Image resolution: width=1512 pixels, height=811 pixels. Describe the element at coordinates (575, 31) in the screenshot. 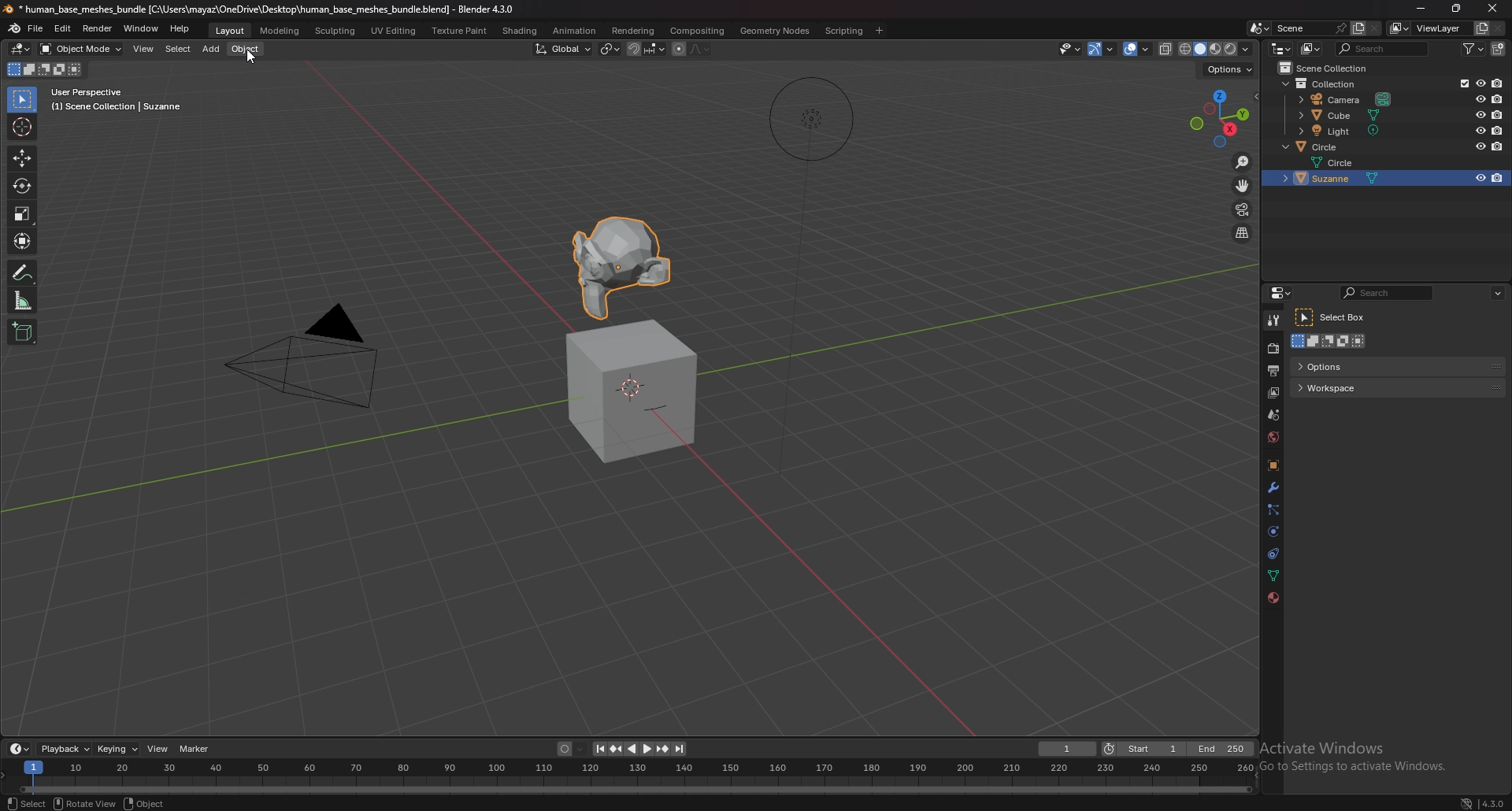

I see `animation` at that location.